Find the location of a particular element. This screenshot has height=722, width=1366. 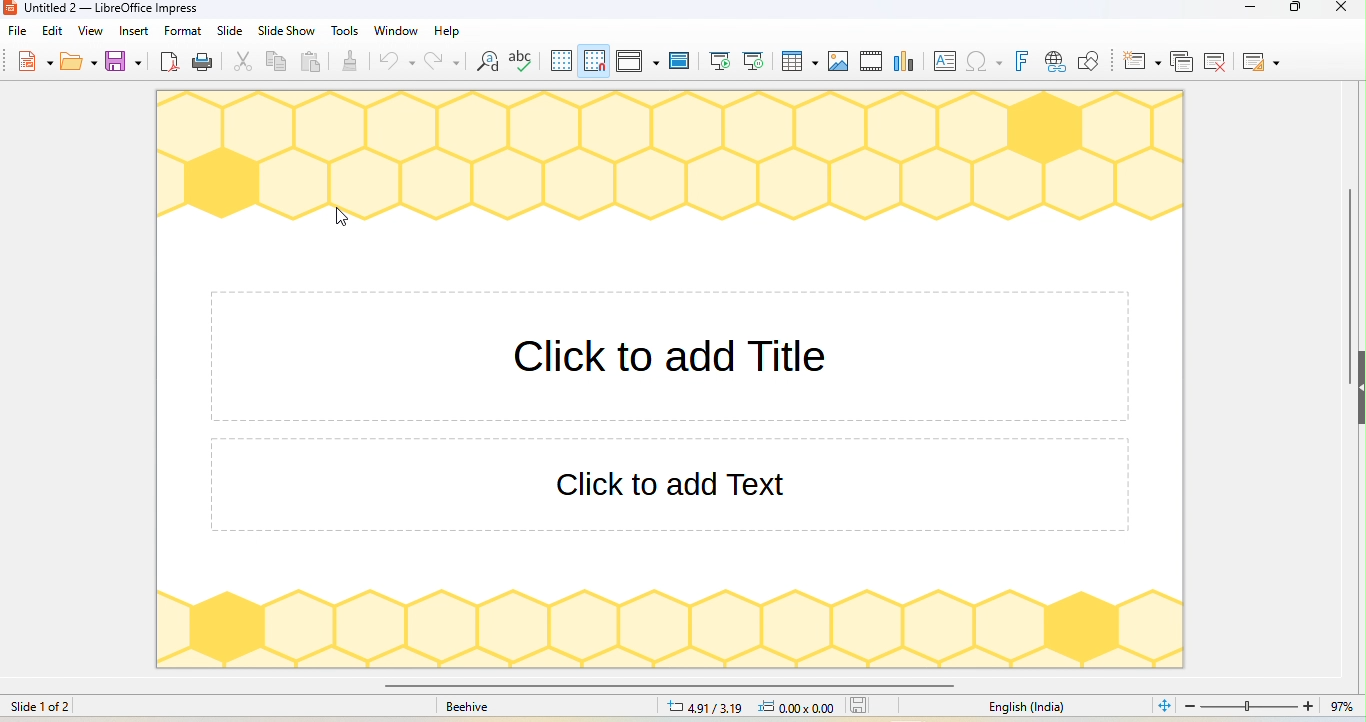

new is located at coordinates (36, 59).